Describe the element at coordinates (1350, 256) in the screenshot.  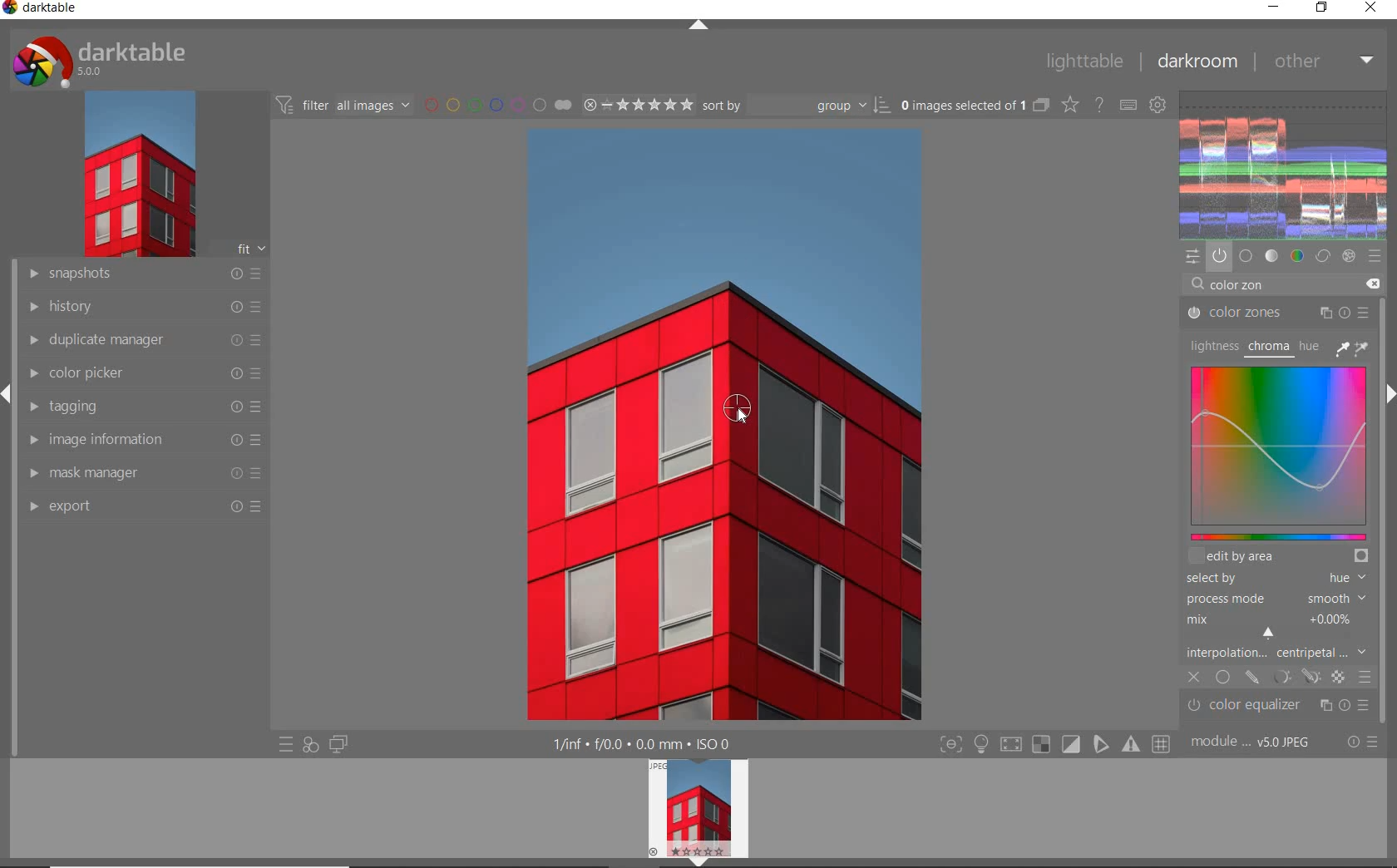
I see `effect` at that location.